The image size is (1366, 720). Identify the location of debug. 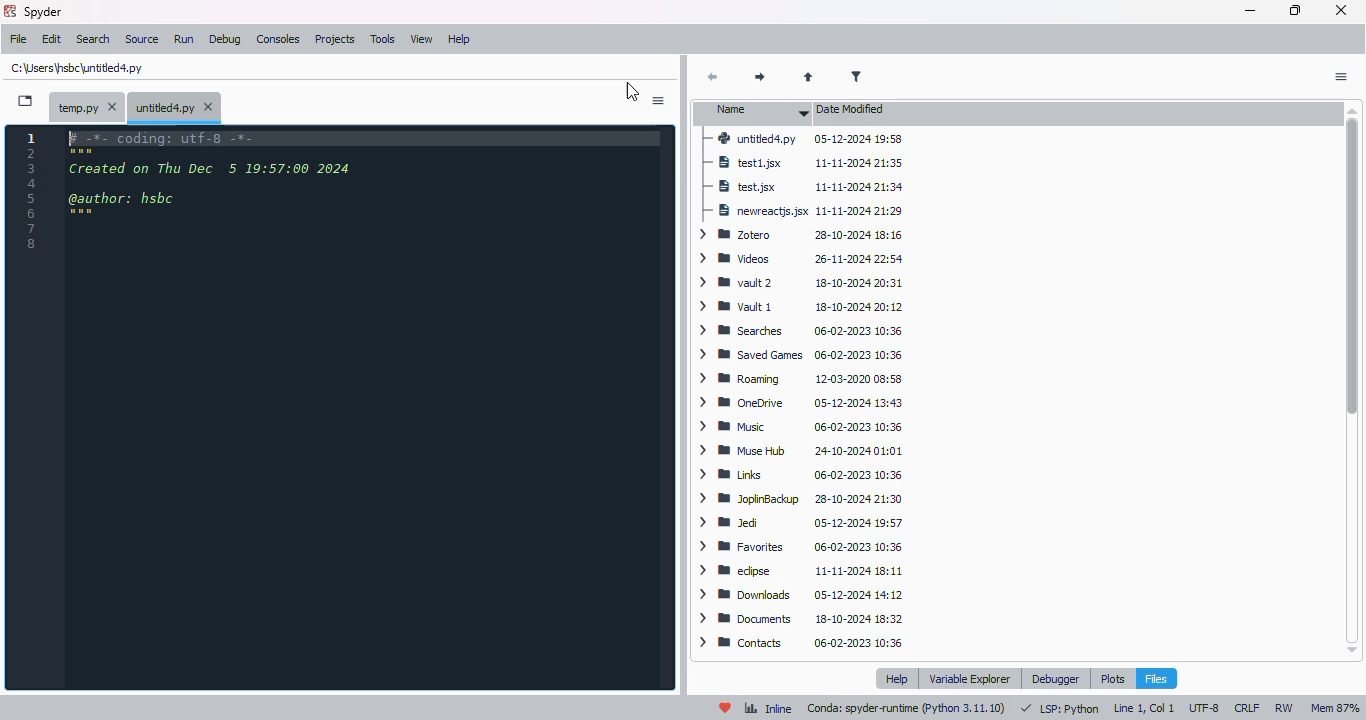
(225, 40).